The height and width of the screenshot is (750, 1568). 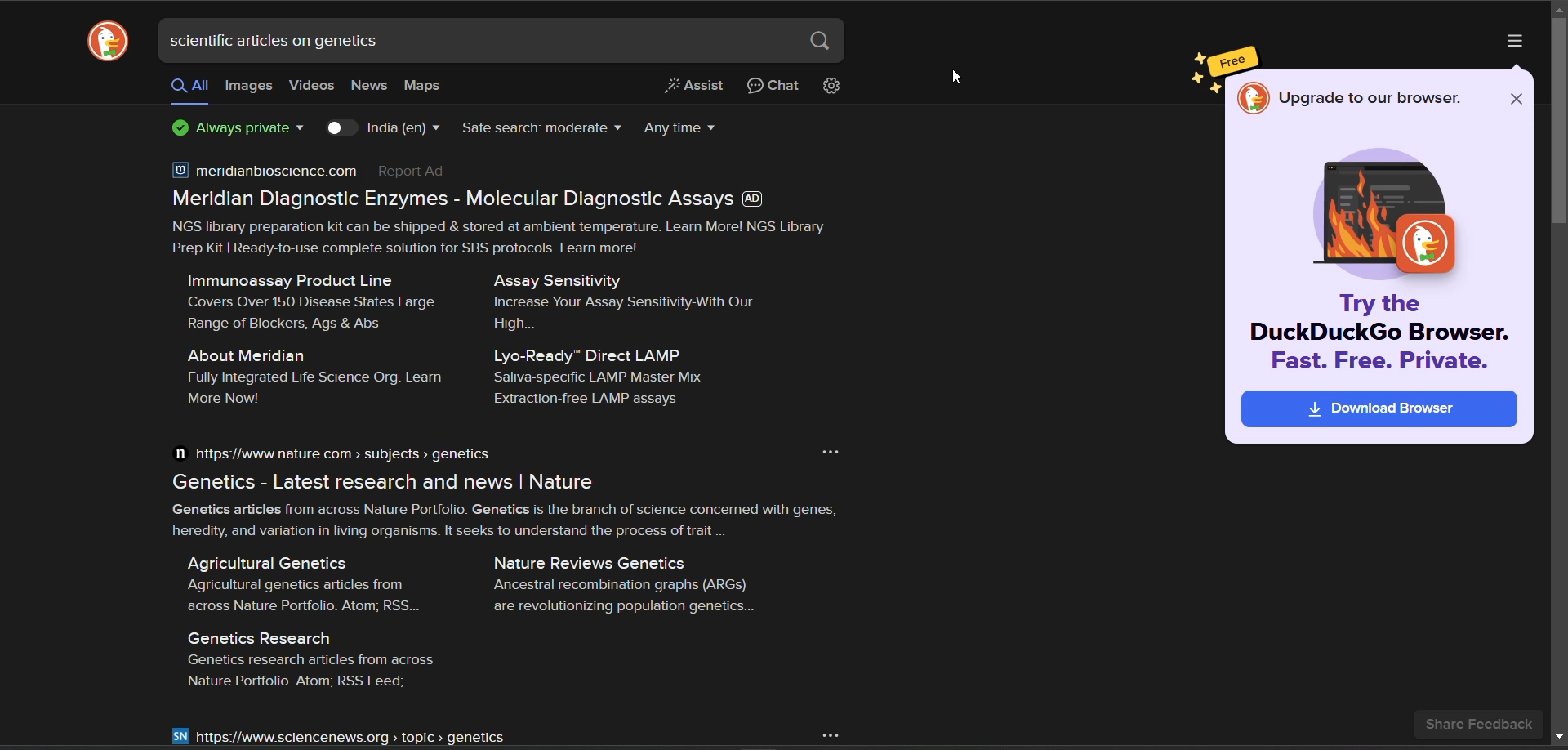 I want to click on About Meridian
Fully Integrated Life Science Org. Learn
More Now!, so click(x=303, y=375).